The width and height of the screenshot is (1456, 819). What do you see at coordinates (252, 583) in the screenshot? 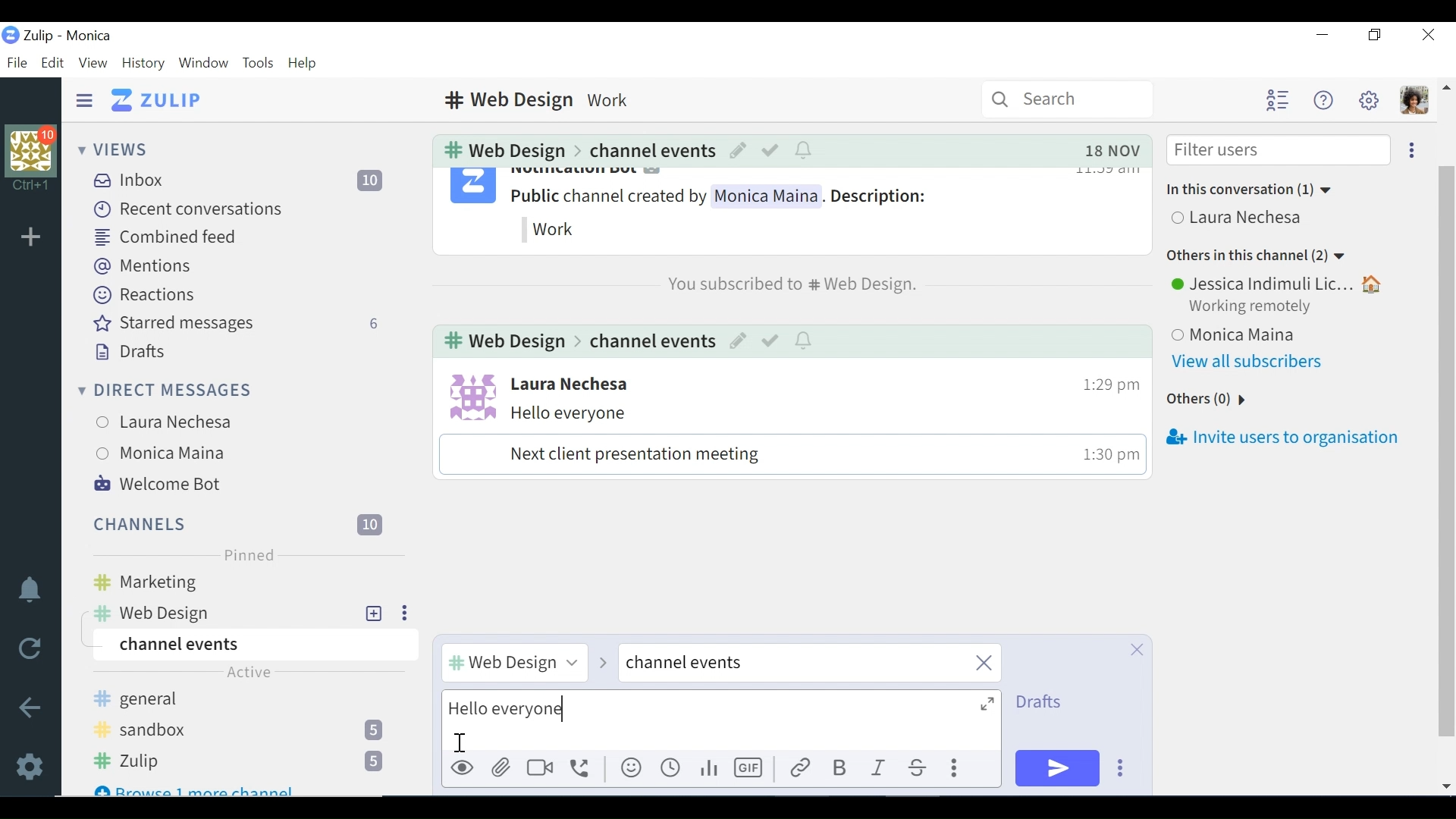
I see `marketing Channel` at bounding box center [252, 583].